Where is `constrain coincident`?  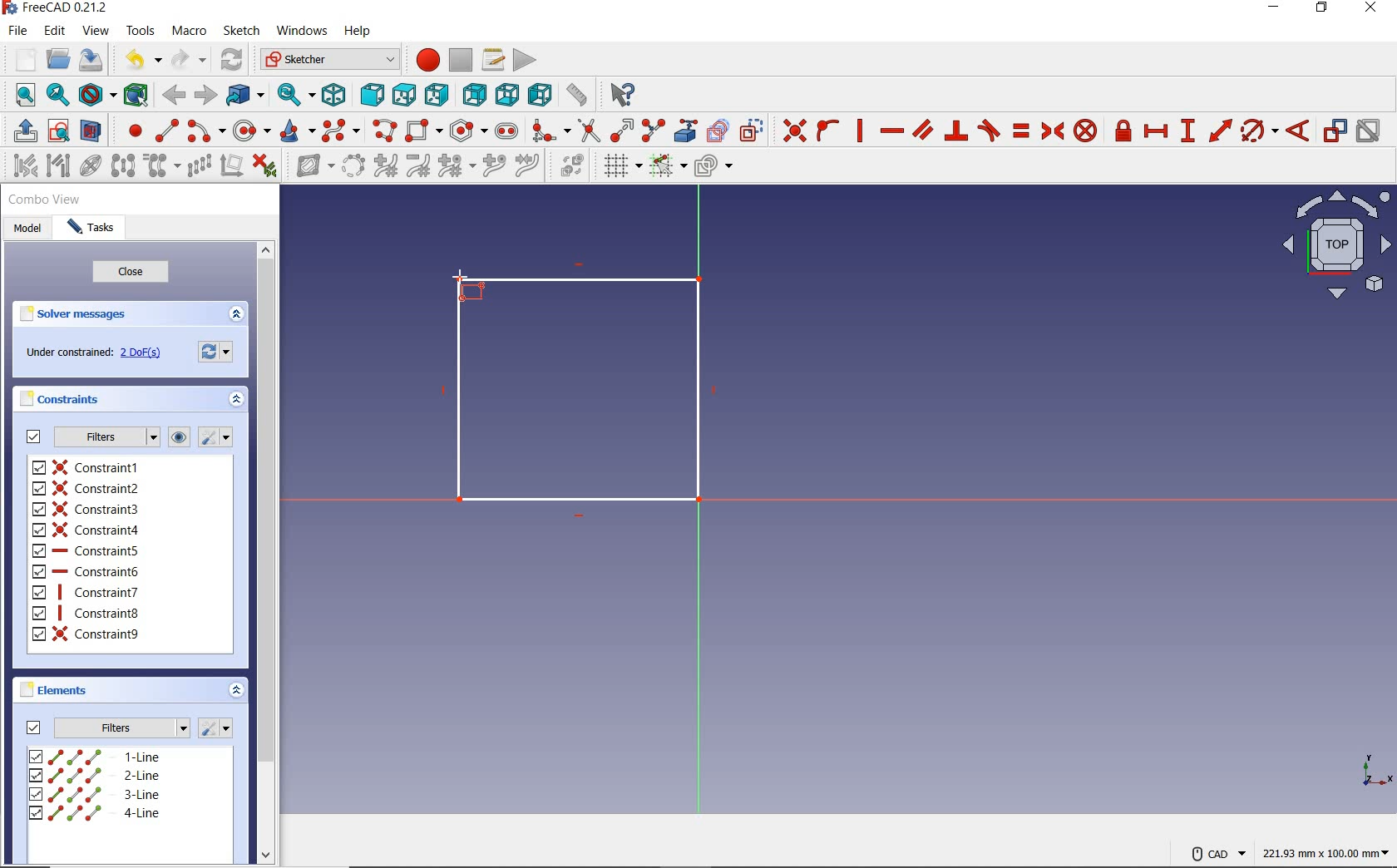 constrain coincident is located at coordinates (792, 131).